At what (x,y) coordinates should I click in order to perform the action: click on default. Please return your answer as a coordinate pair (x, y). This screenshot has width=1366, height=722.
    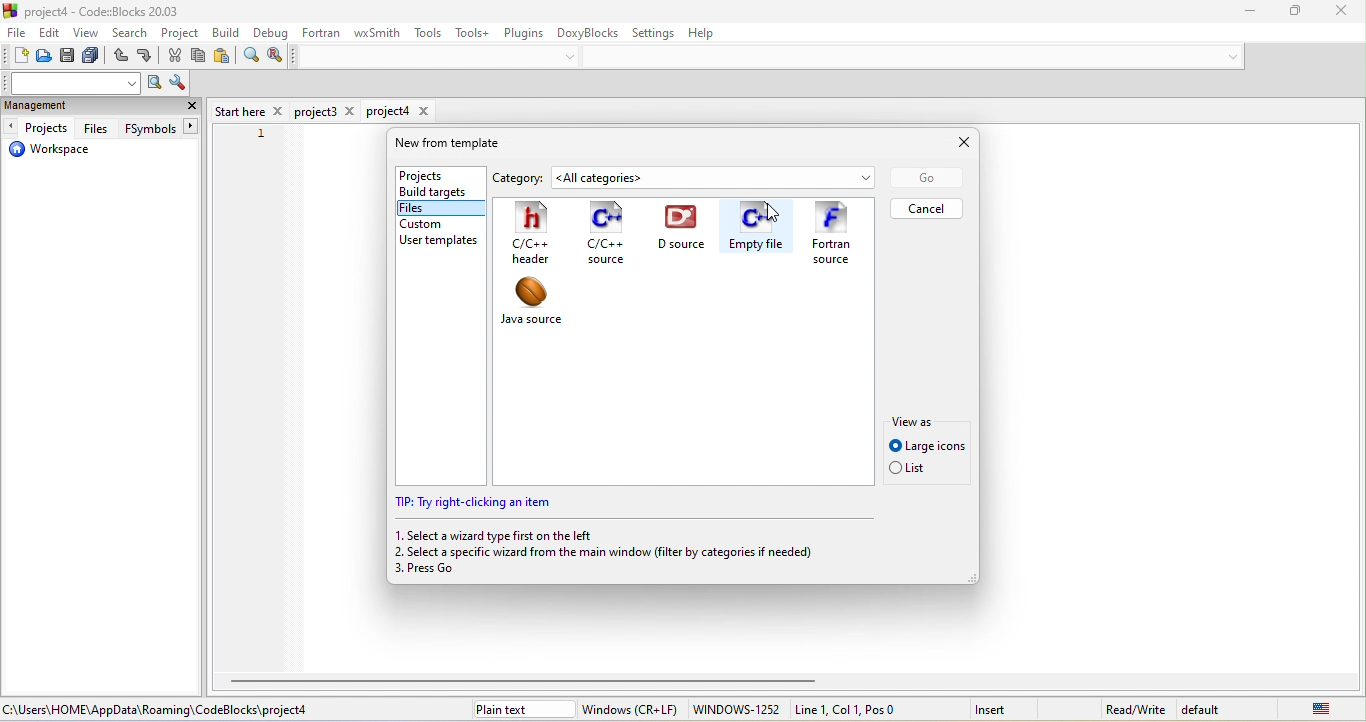
    Looking at the image, I should click on (1208, 708).